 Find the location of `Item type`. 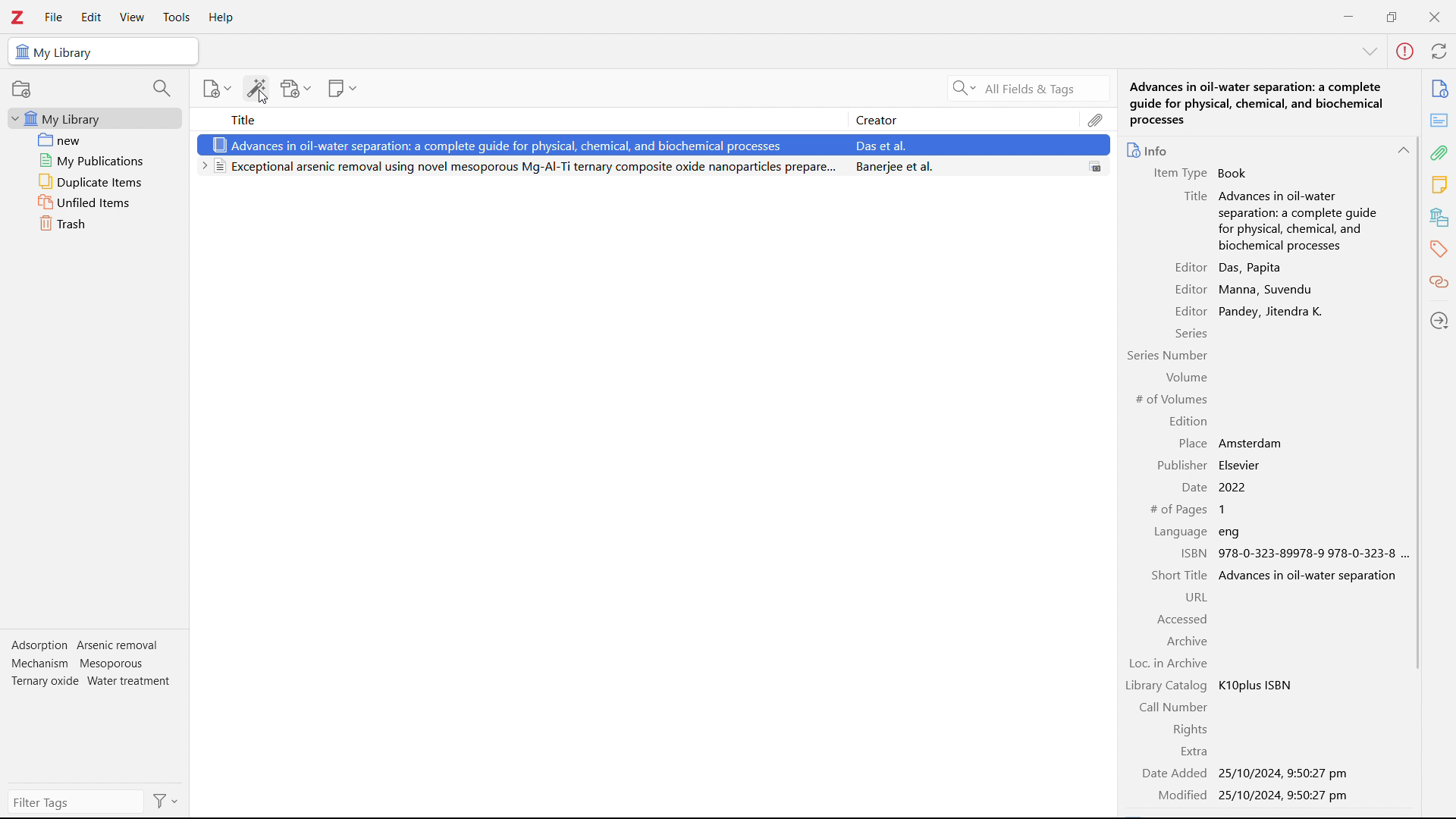

Item type is located at coordinates (1175, 174).